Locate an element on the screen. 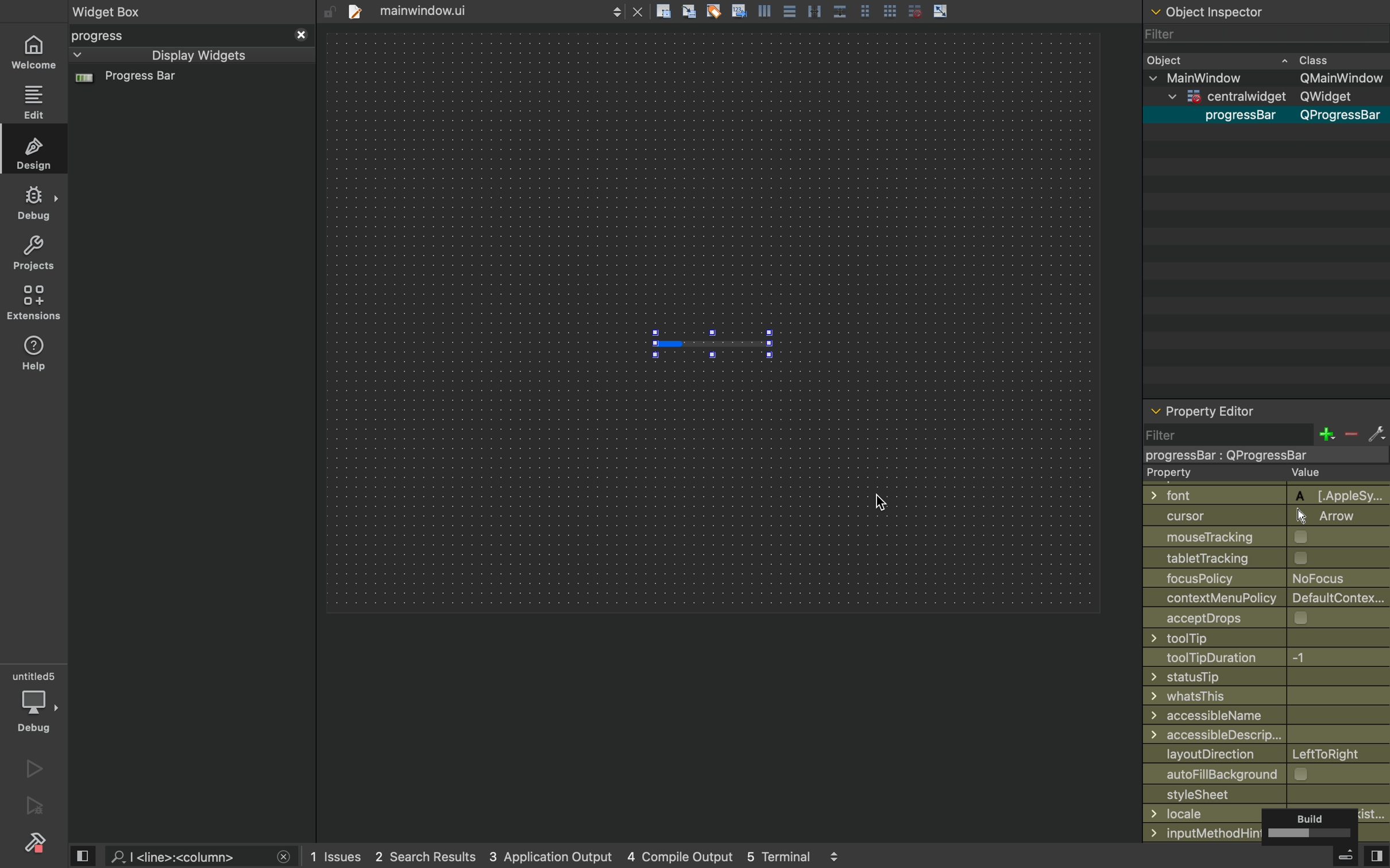 The width and height of the screenshot is (1390, 868). property editor is located at coordinates (1266, 413).